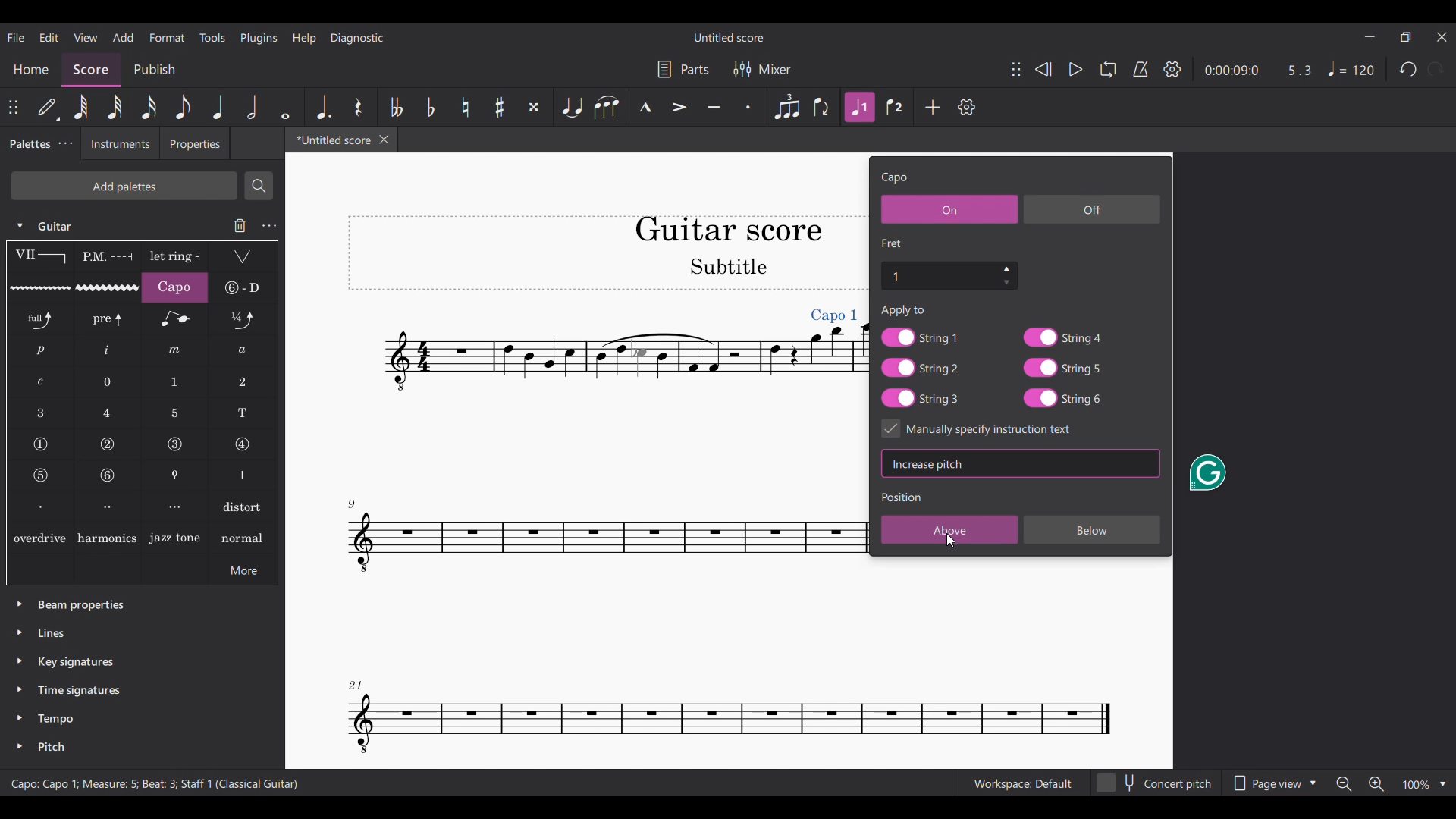 Image resolution: width=1456 pixels, height=819 pixels. What do you see at coordinates (359, 107) in the screenshot?
I see `Rest` at bounding box center [359, 107].